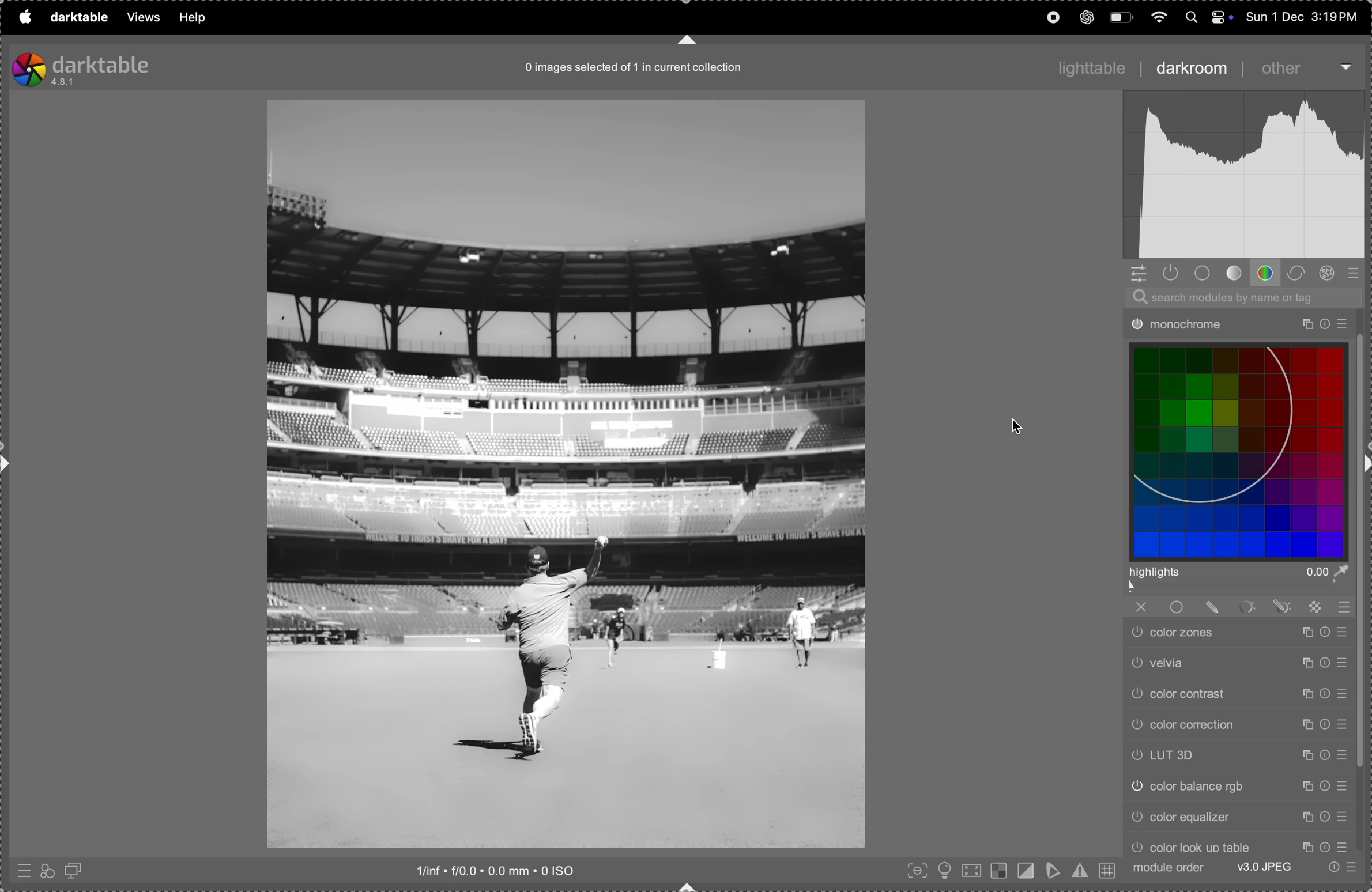 The height and width of the screenshot is (892, 1372). I want to click on toggle guidelines, so click(1107, 871).